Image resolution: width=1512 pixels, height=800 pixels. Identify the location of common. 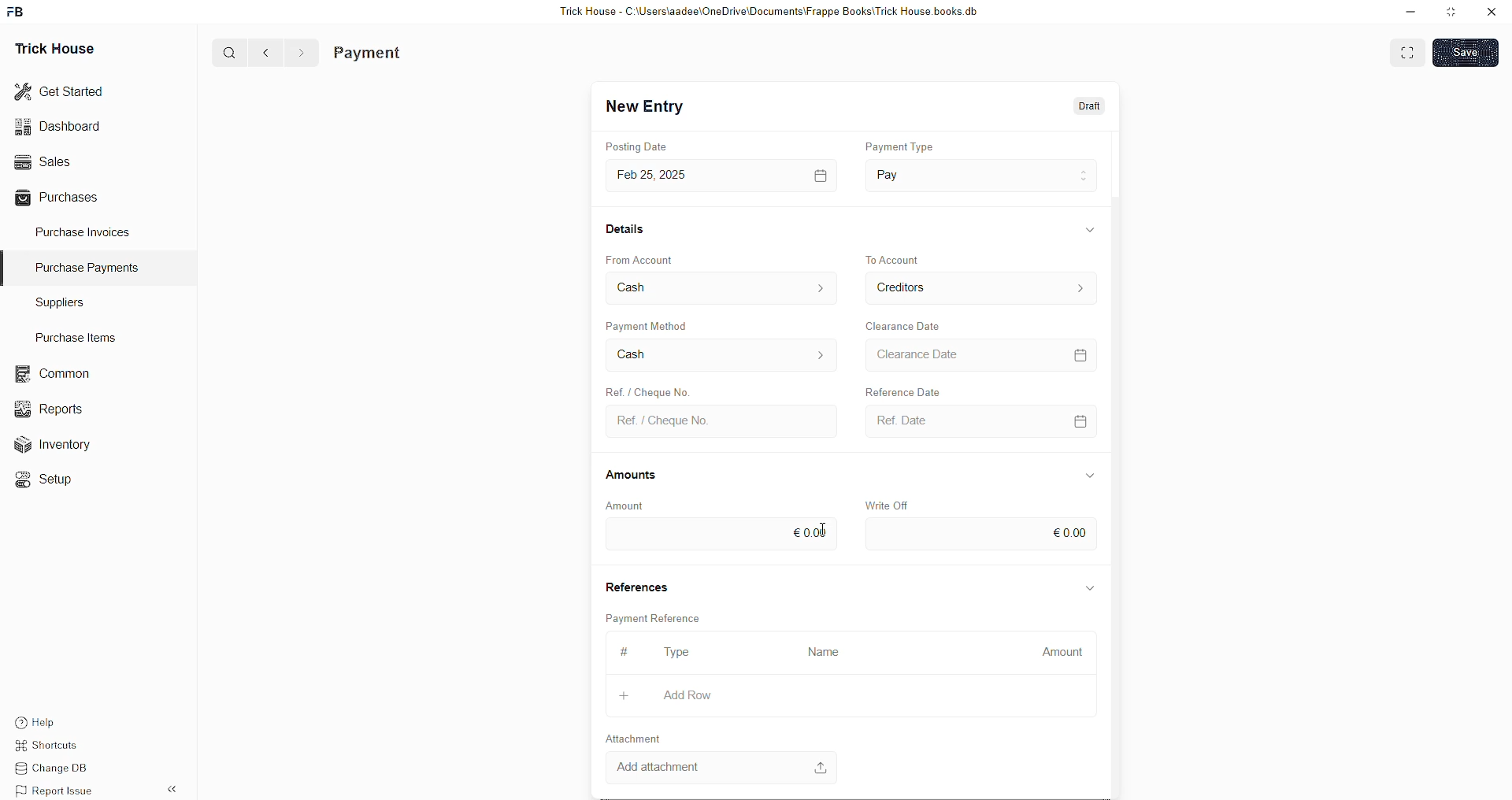
(55, 374).